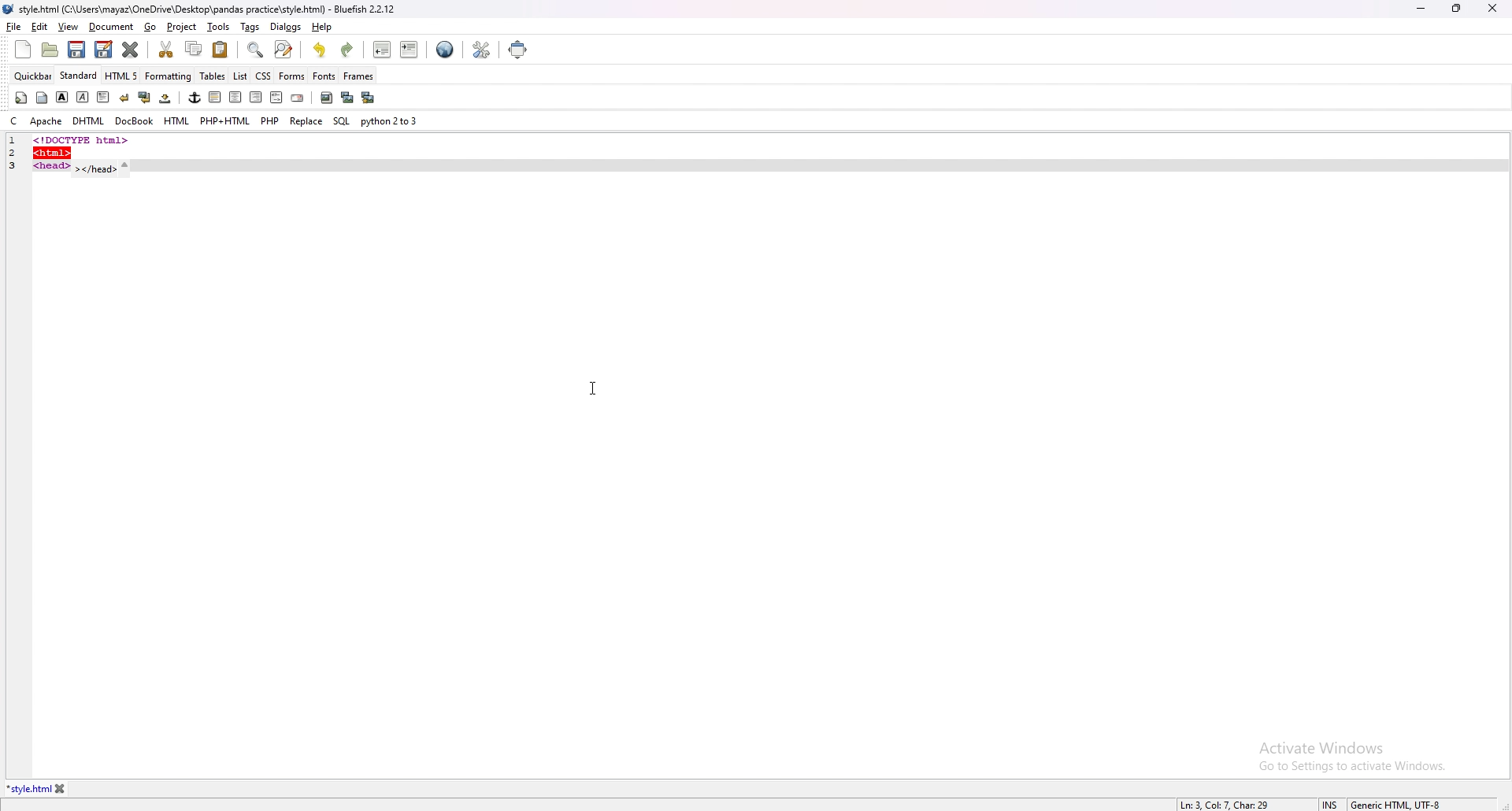 The width and height of the screenshot is (1512, 811). What do you see at coordinates (88, 122) in the screenshot?
I see `dhtml` at bounding box center [88, 122].